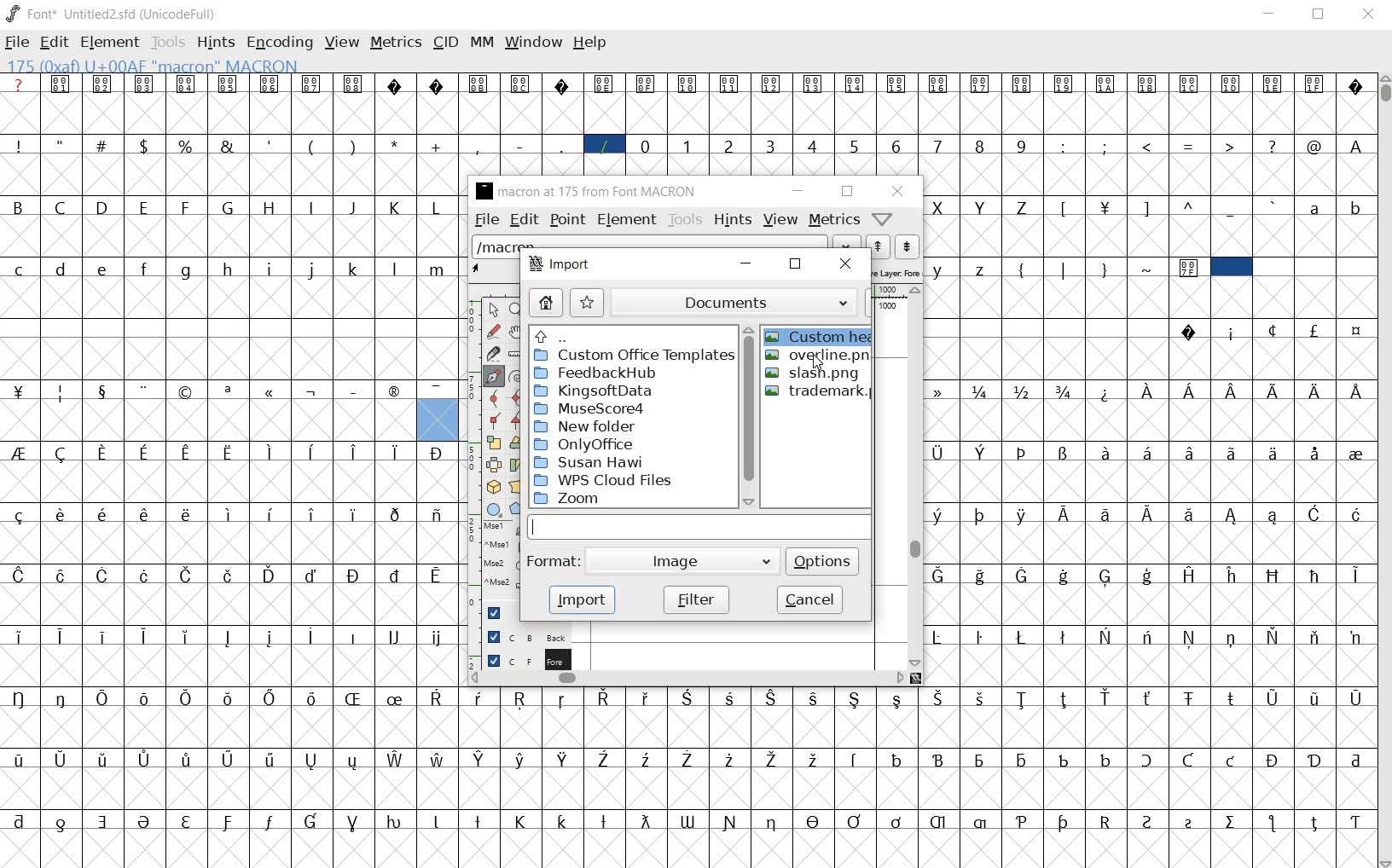 Image resolution: width=1392 pixels, height=868 pixels. I want to click on l, so click(397, 267).